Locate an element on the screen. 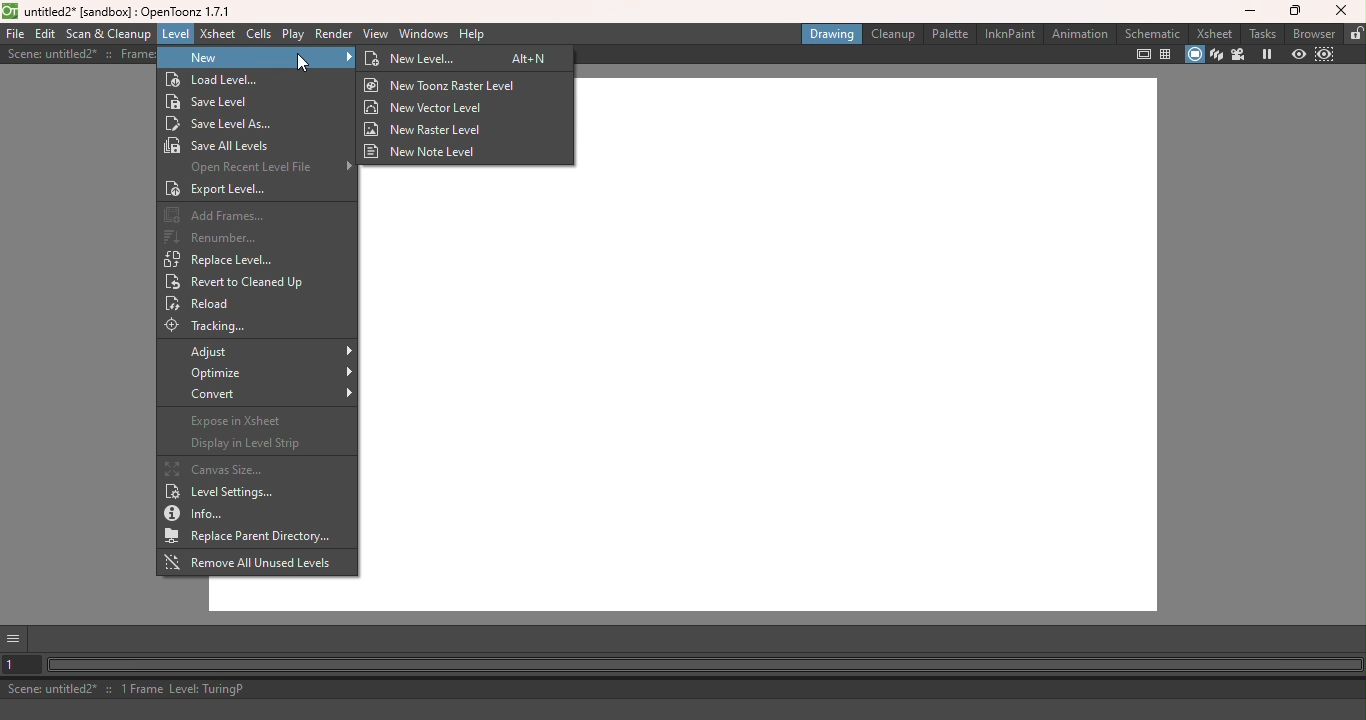  Canvas size is located at coordinates (218, 469).